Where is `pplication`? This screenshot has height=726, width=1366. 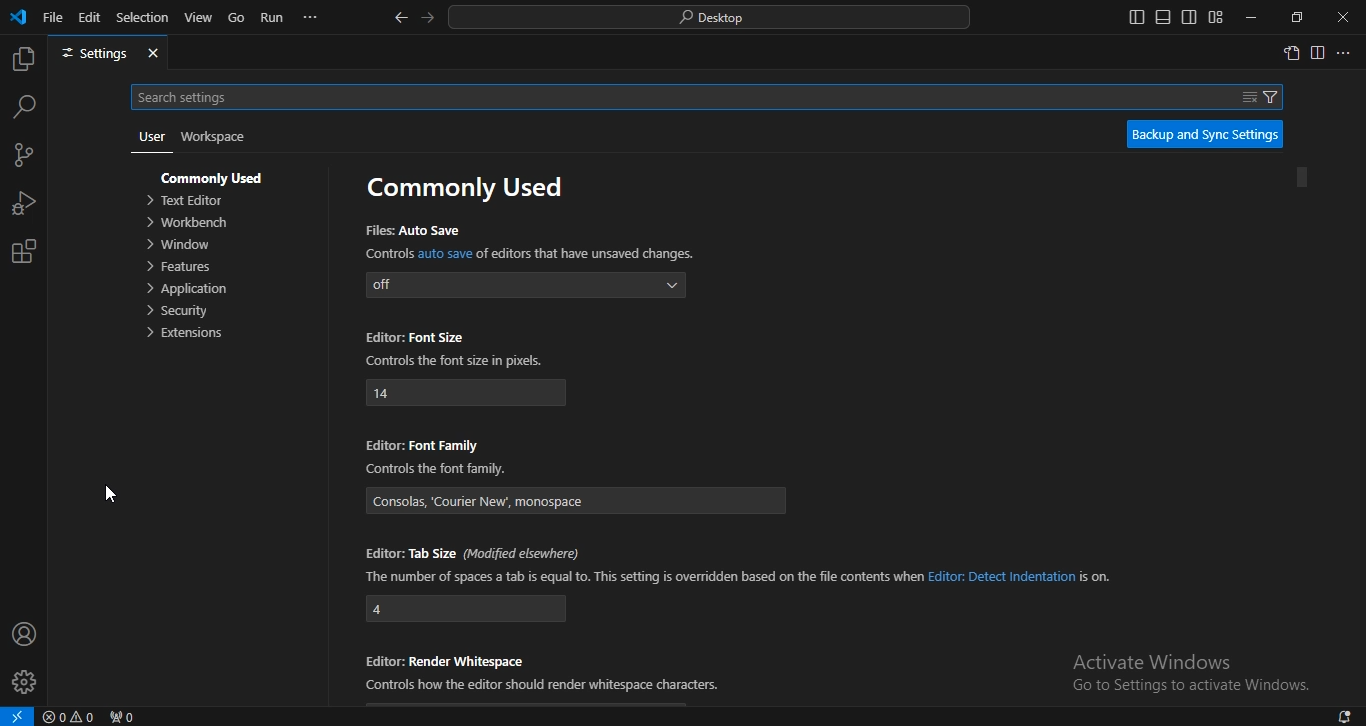 pplication is located at coordinates (186, 291).